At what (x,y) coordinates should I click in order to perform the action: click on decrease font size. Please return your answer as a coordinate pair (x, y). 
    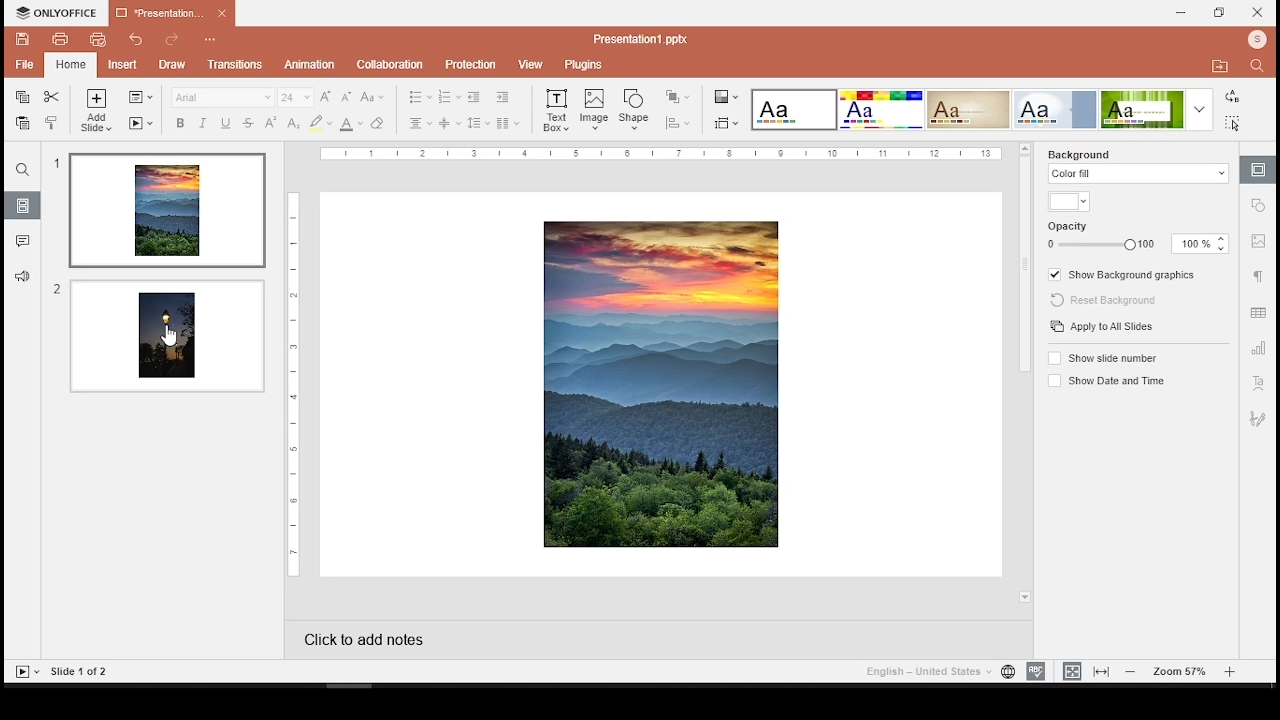
    Looking at the image, I should click on (345, 97).